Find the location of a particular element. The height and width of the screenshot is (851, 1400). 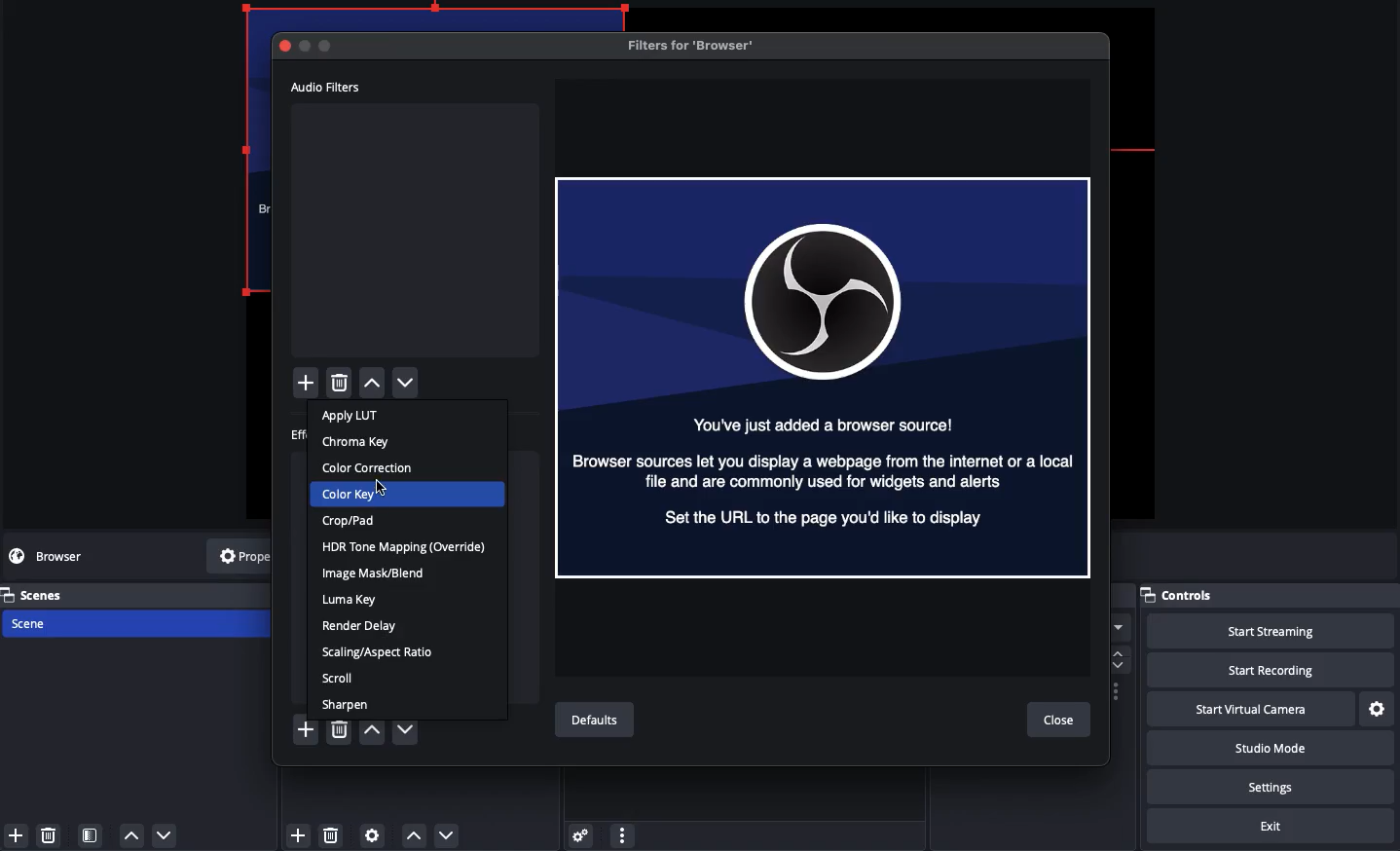

Close is located at coordinates (287, 45).